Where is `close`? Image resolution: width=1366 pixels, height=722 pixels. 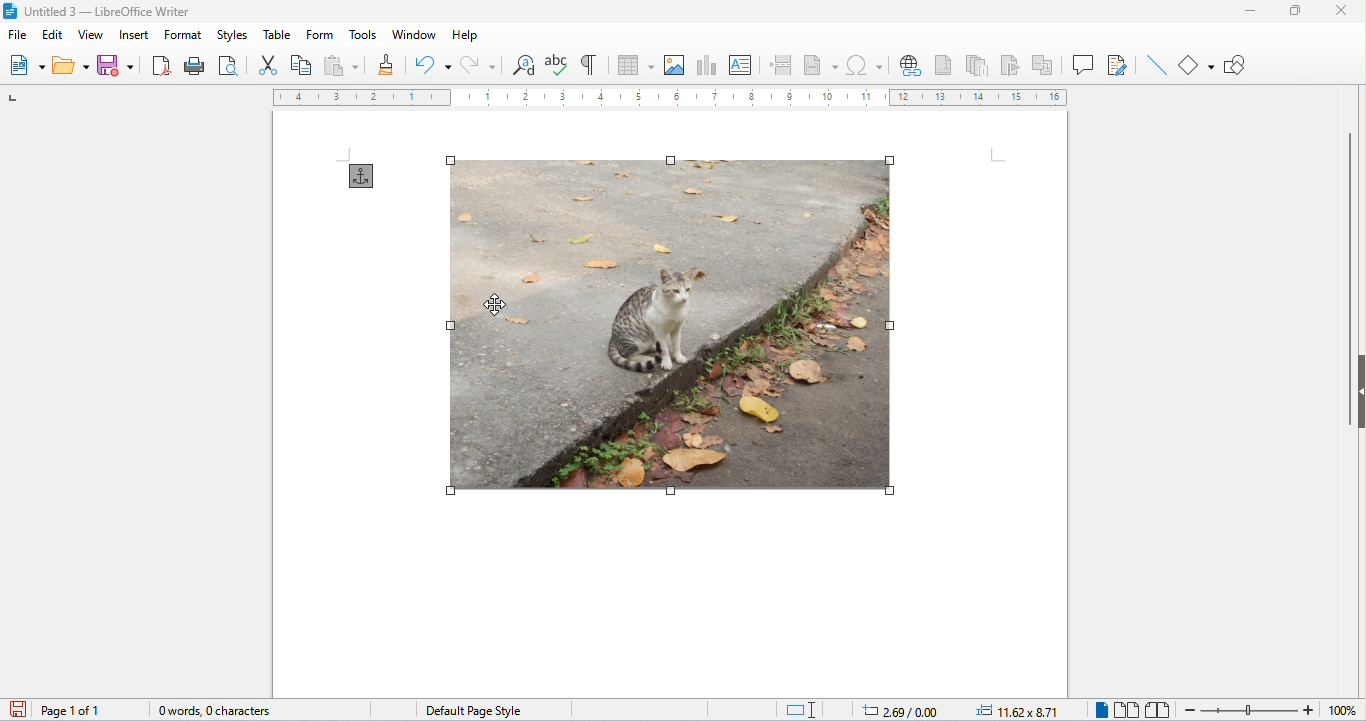 close is located at coordinates (1340, 10).